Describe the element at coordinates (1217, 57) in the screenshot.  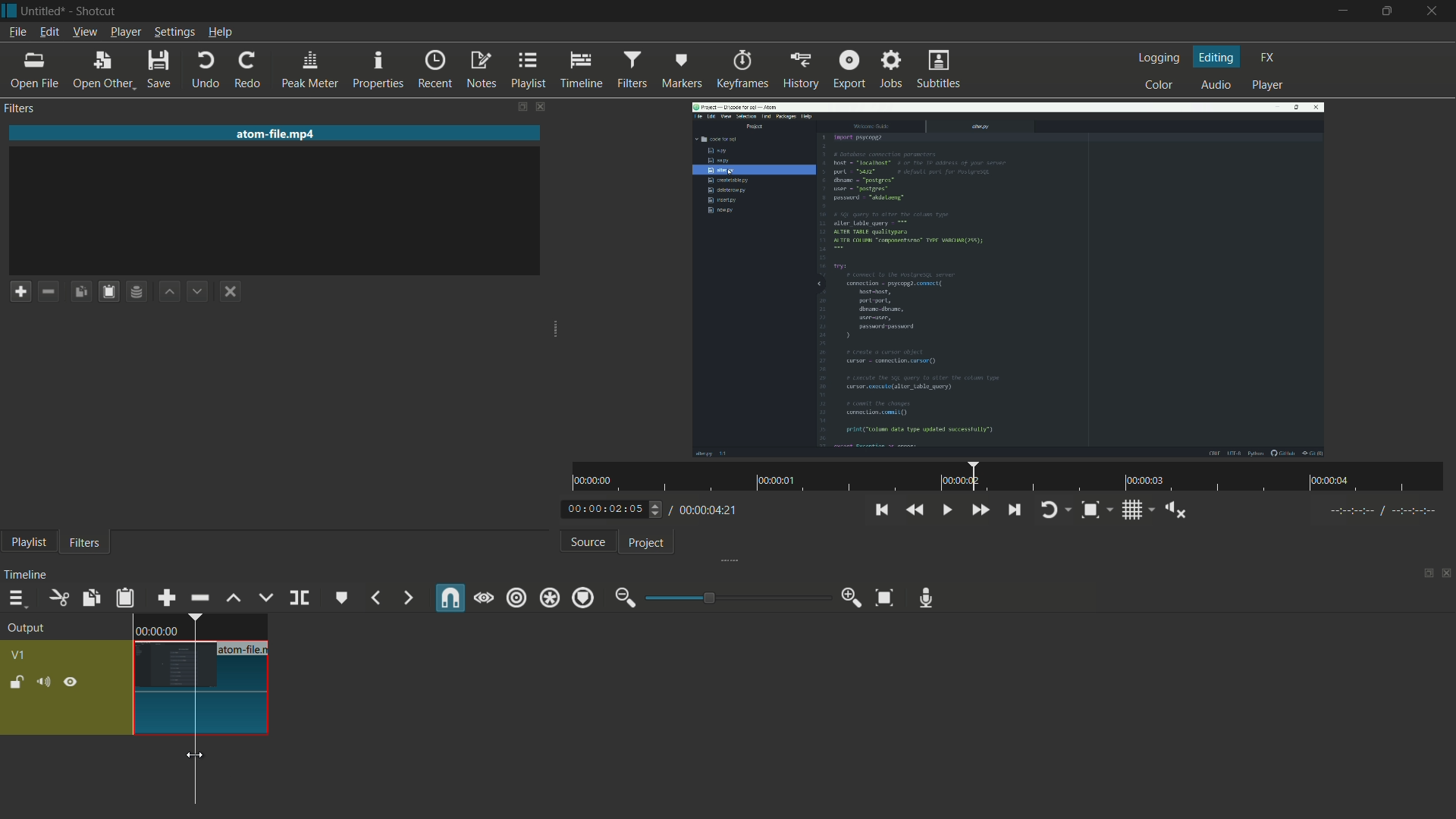
I see `editing` at that location.